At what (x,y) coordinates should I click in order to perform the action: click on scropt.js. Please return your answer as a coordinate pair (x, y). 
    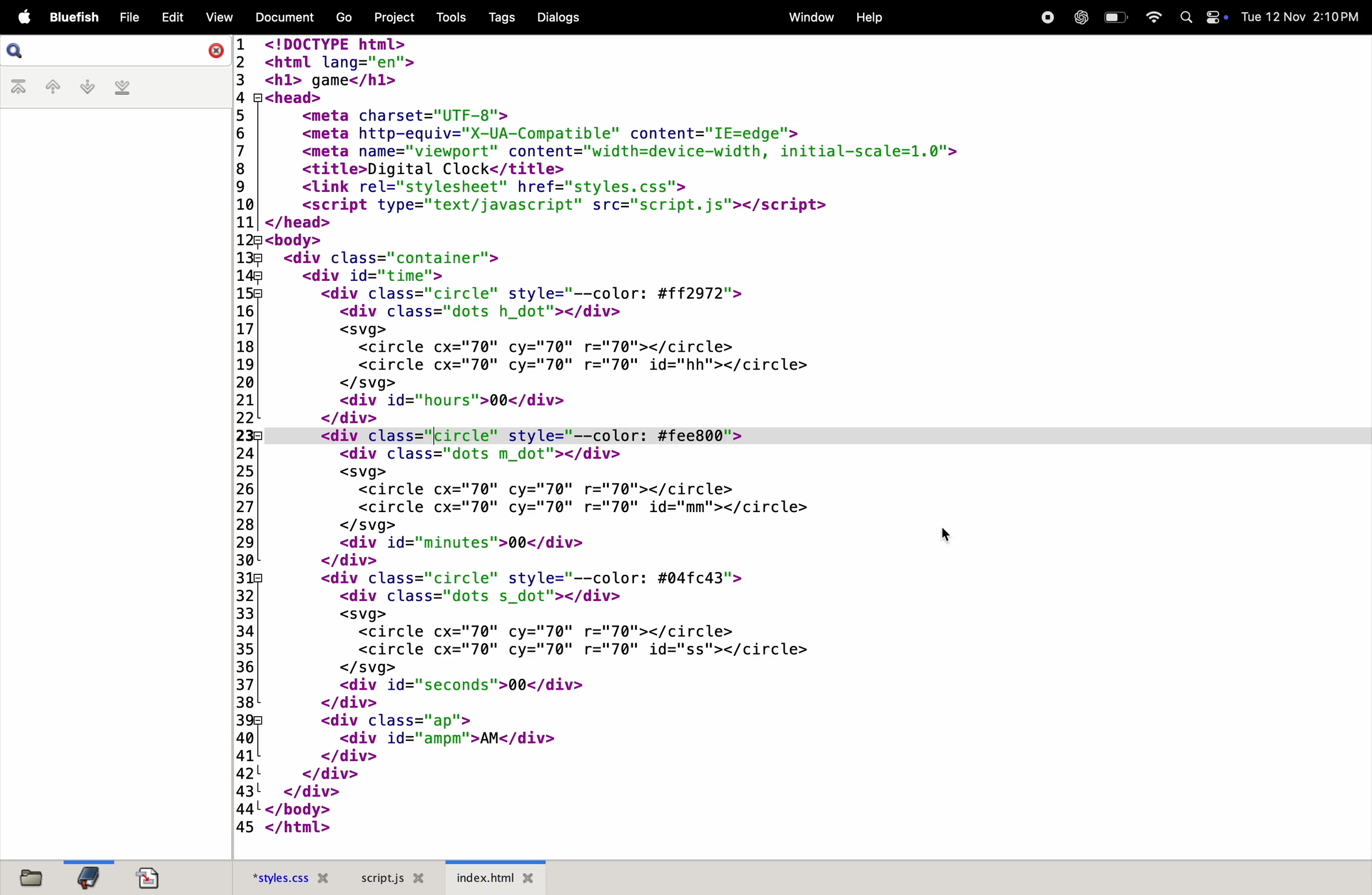
    Looking at the image, I should click on (390, 878).